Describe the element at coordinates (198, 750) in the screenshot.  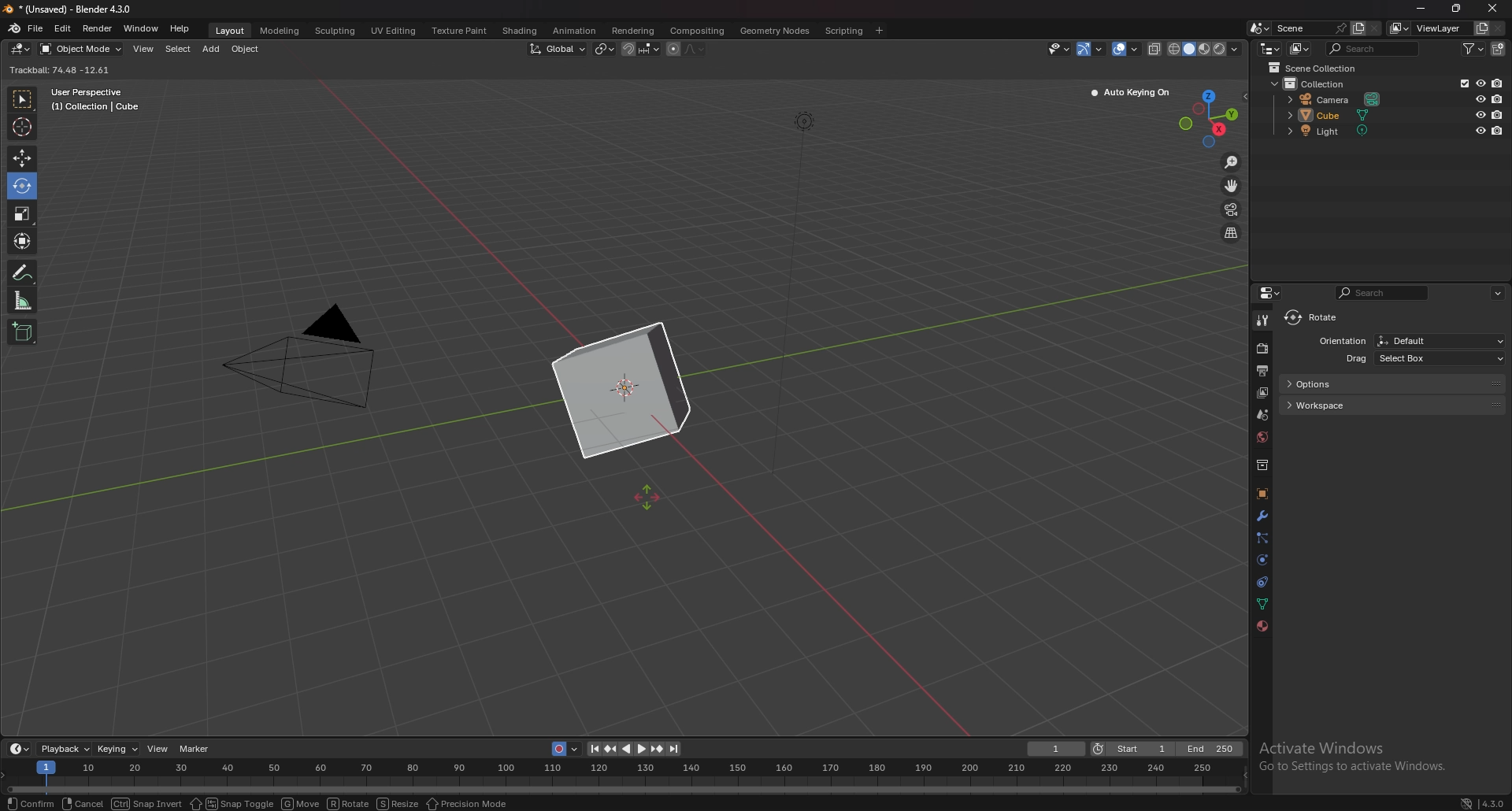
I see `marker` at that location.